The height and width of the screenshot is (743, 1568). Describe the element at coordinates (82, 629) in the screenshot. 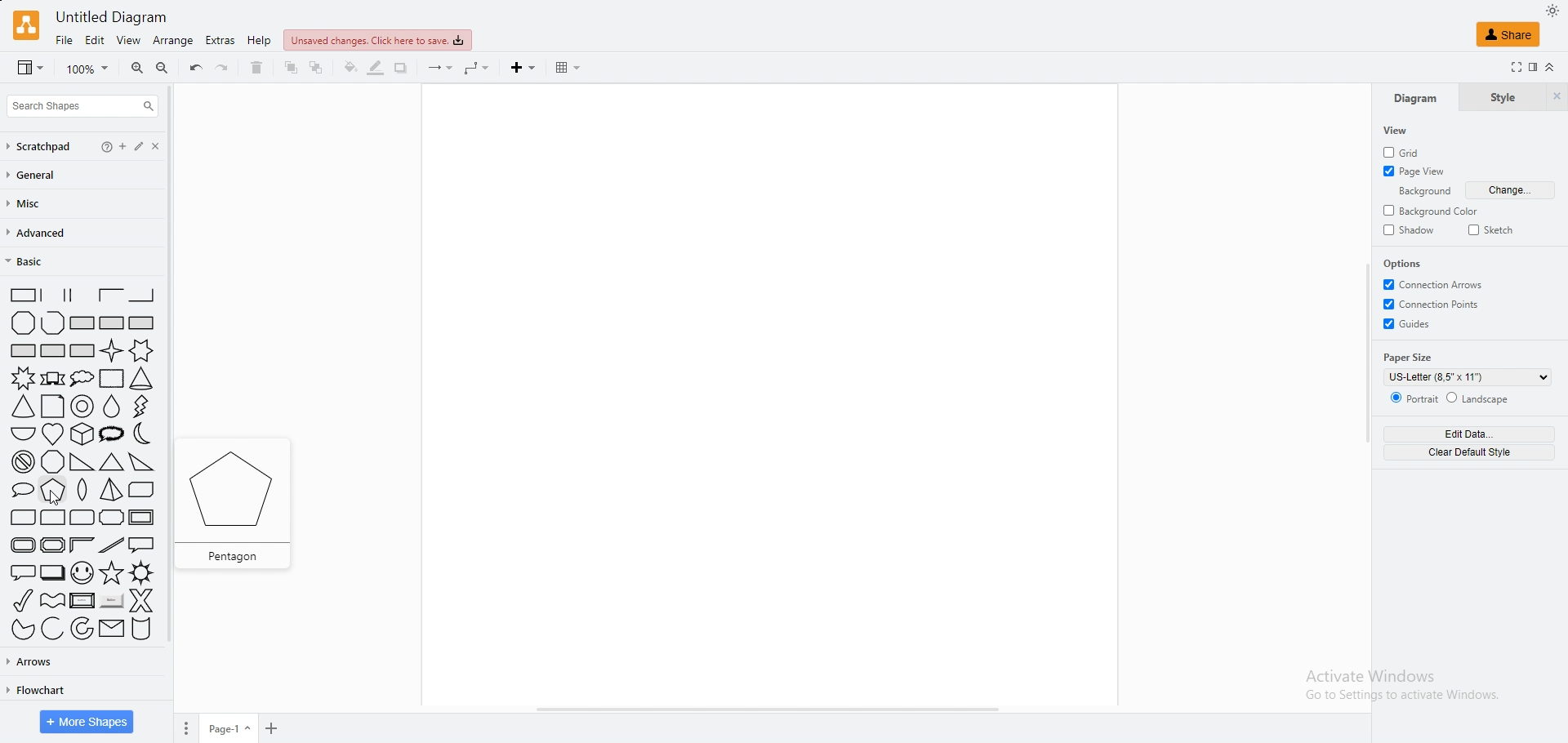

I see `partial concentric ellipse` at that location.